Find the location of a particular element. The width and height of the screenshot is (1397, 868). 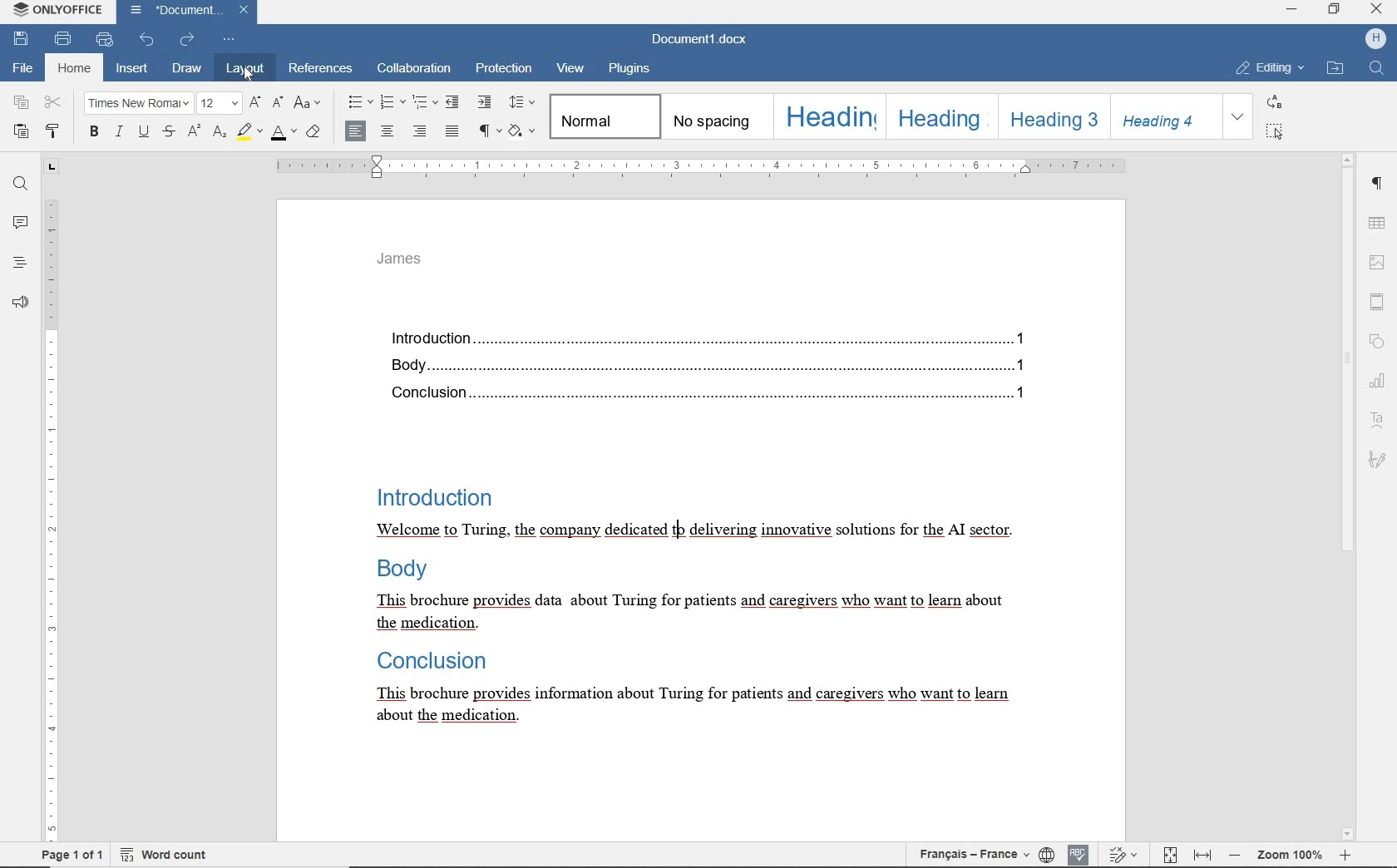

print is located at coordinates (65, 39).